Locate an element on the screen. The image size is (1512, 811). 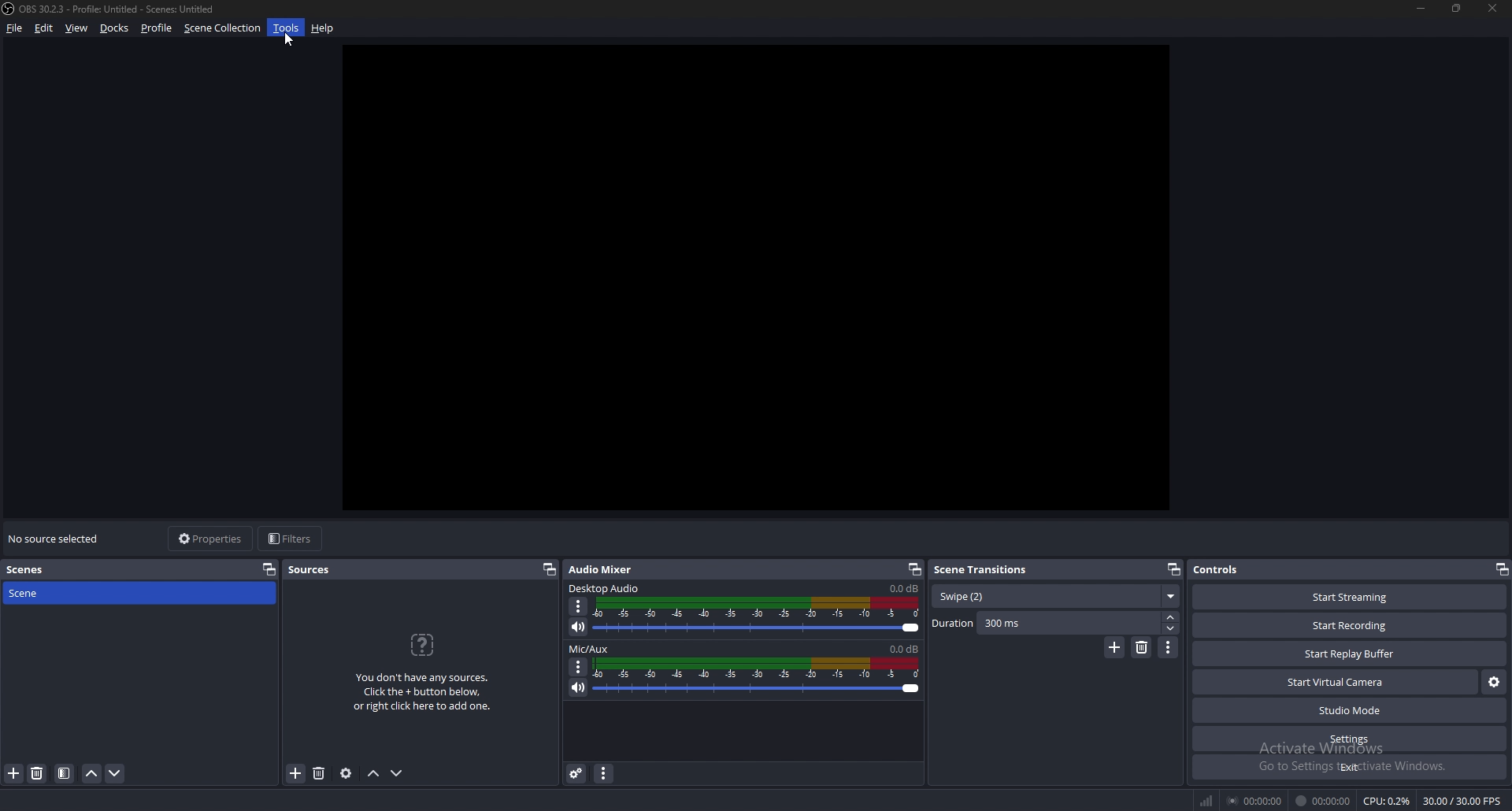
remove scene is located at coordinates (37, 773).